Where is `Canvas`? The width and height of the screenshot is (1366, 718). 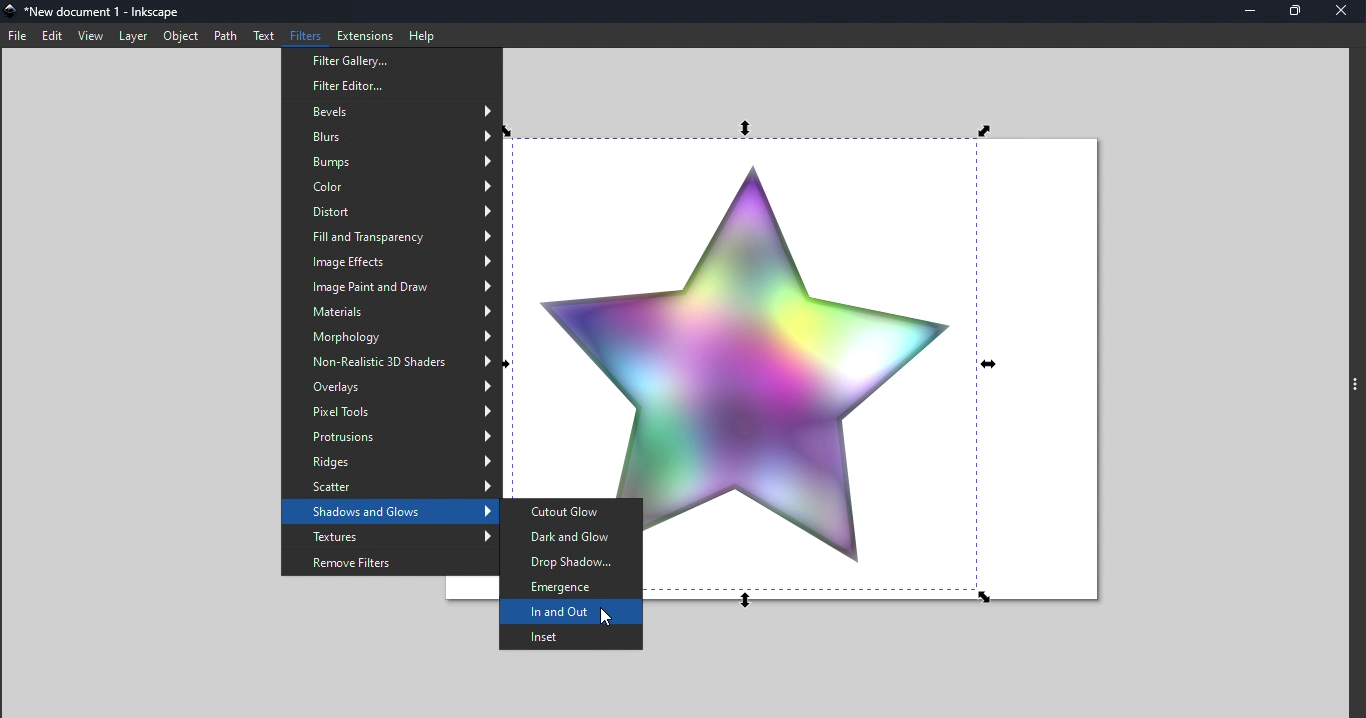 Canvas is located at coordinates (883, 367).